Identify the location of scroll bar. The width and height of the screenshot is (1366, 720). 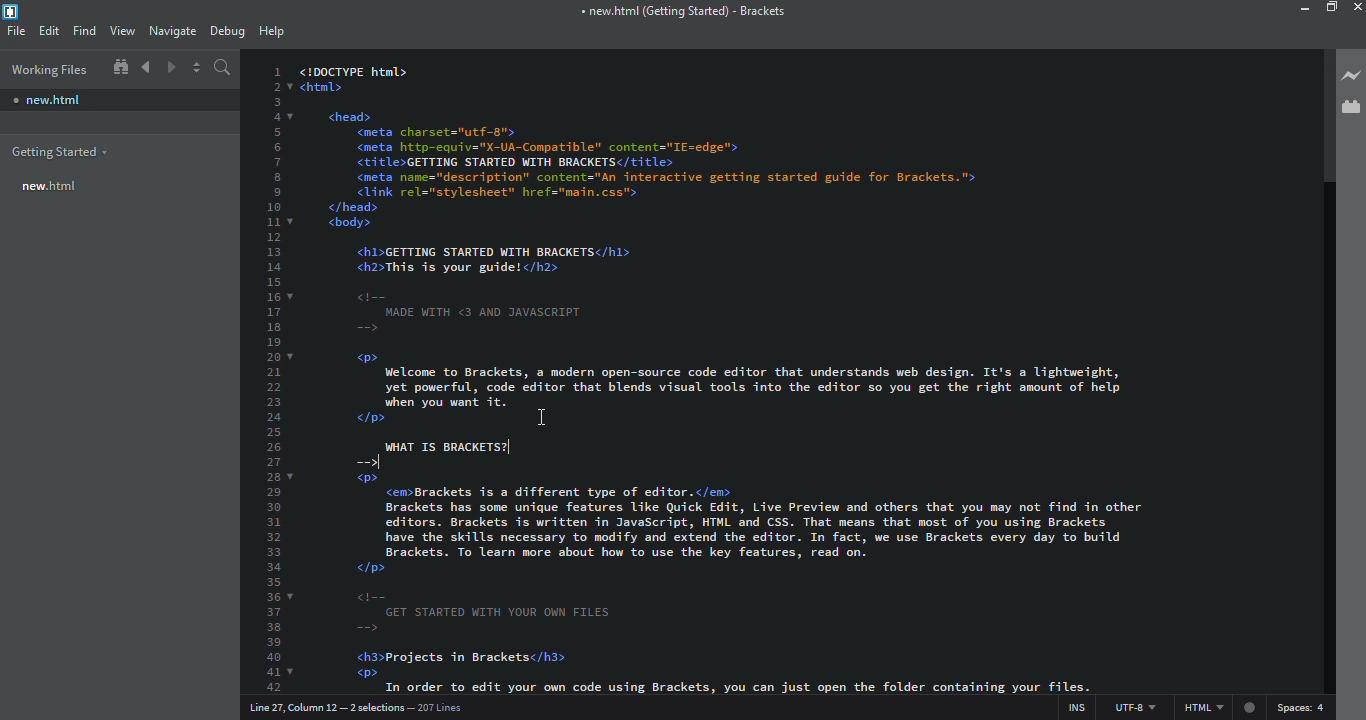
(1320, 113).